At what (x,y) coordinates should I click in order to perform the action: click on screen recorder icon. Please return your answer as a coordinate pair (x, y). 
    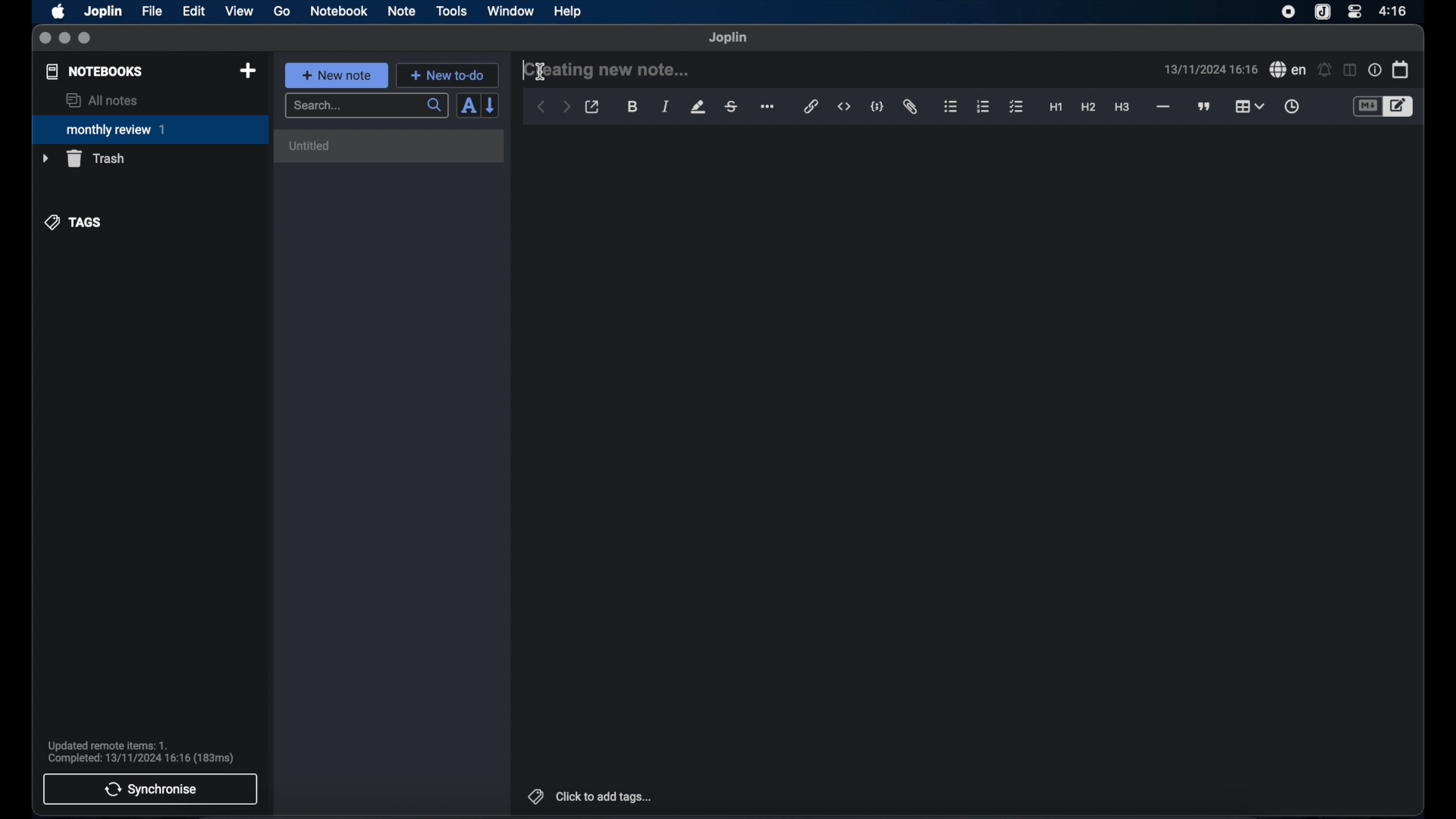
    Looking at the image, I should click on (1288, 12).